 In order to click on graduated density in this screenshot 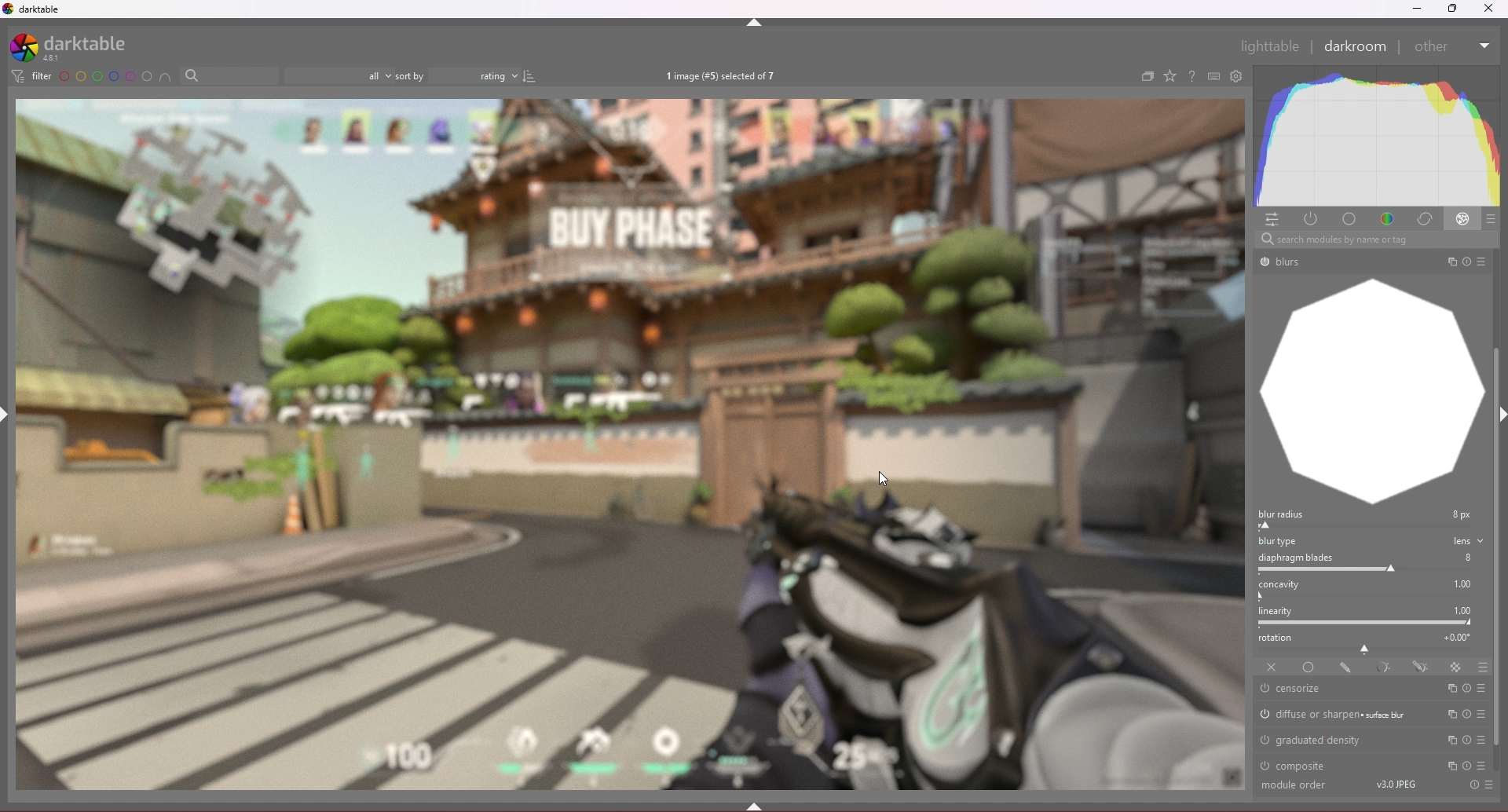, I will do `click(1314, 739)`.